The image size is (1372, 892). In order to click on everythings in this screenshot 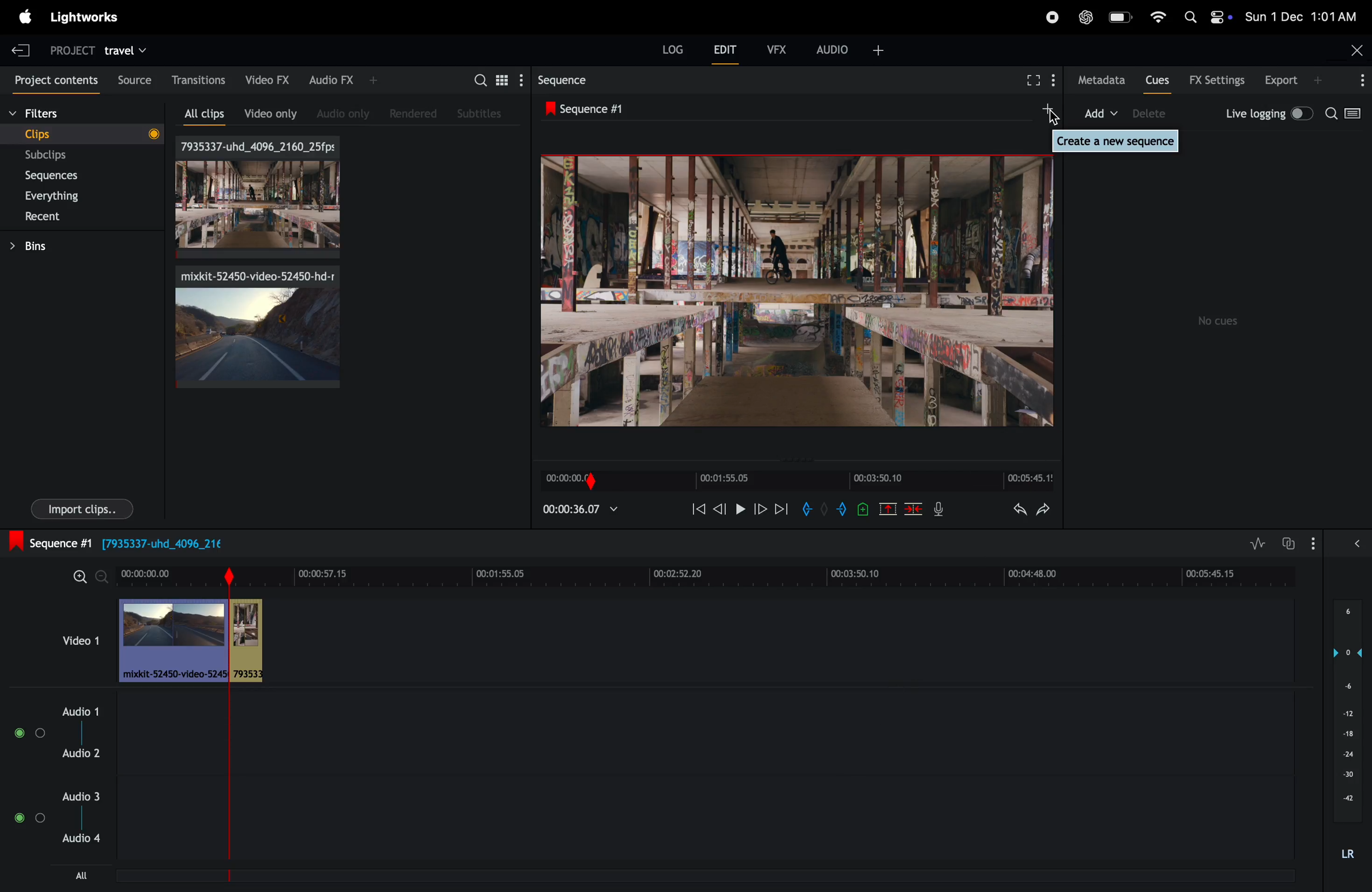, I will do `click(72, 196)`.